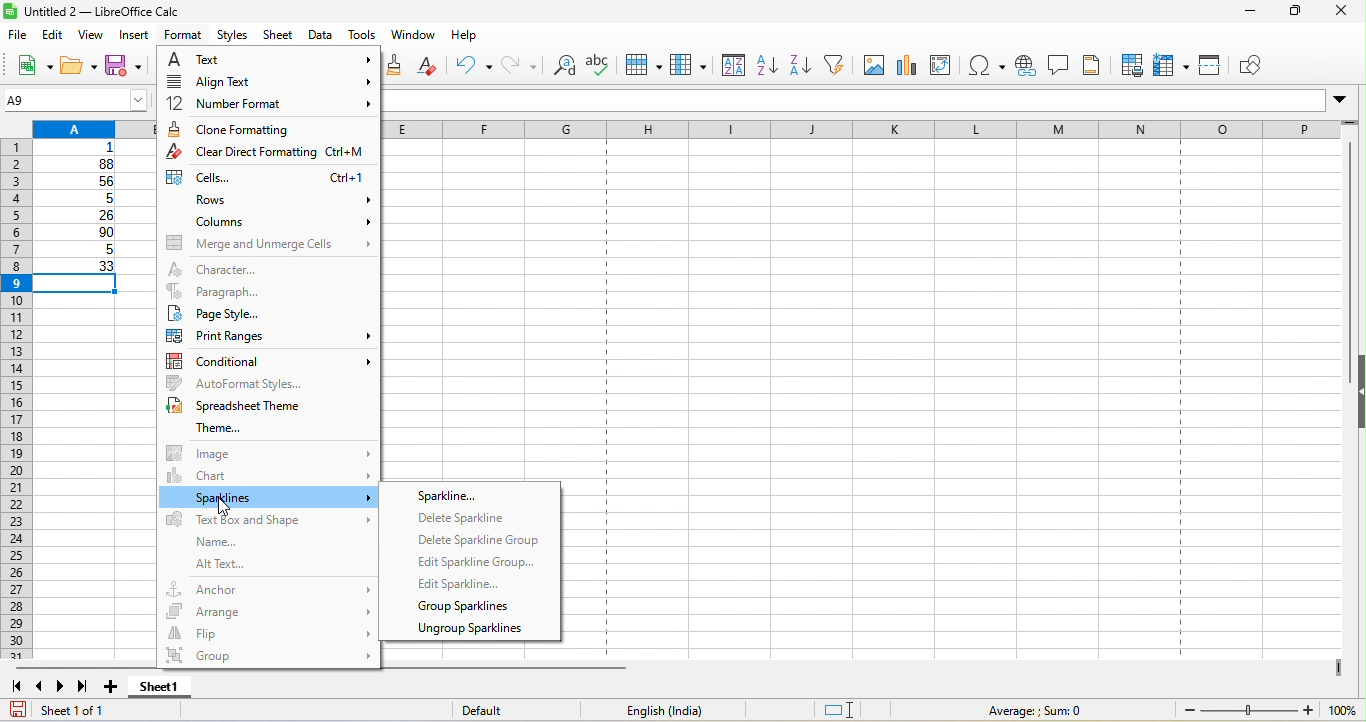  What do you see at coordinates (433, 66) in the screenshot?
I see `clear direct formatting` at bounding box center [433, 66].